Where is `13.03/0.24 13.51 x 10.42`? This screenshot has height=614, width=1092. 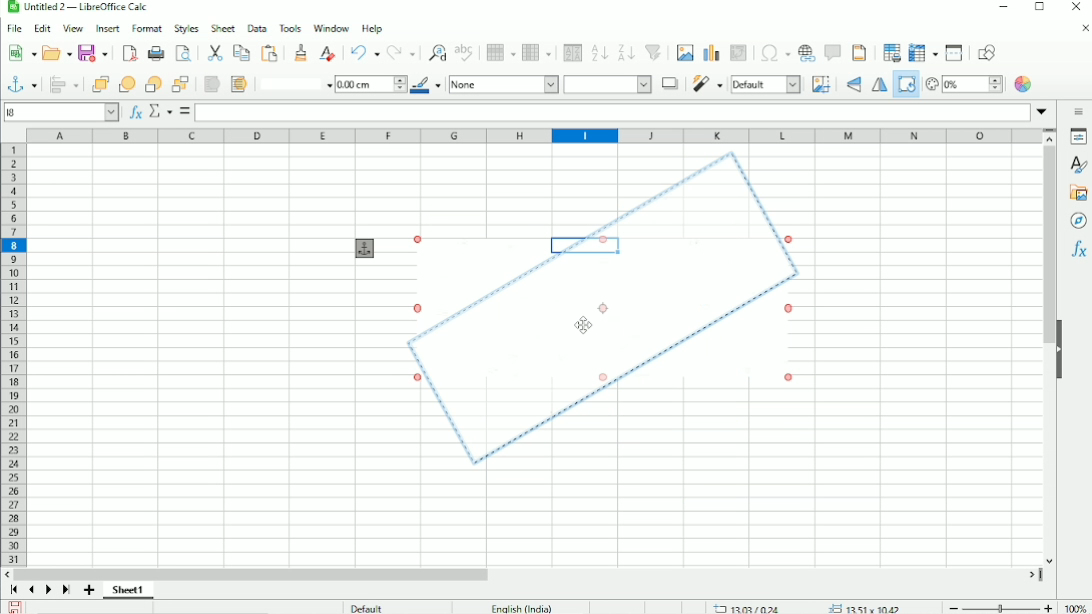
13.03/0.24 13.51 x 10.42 is located at coordinates (809, 607).